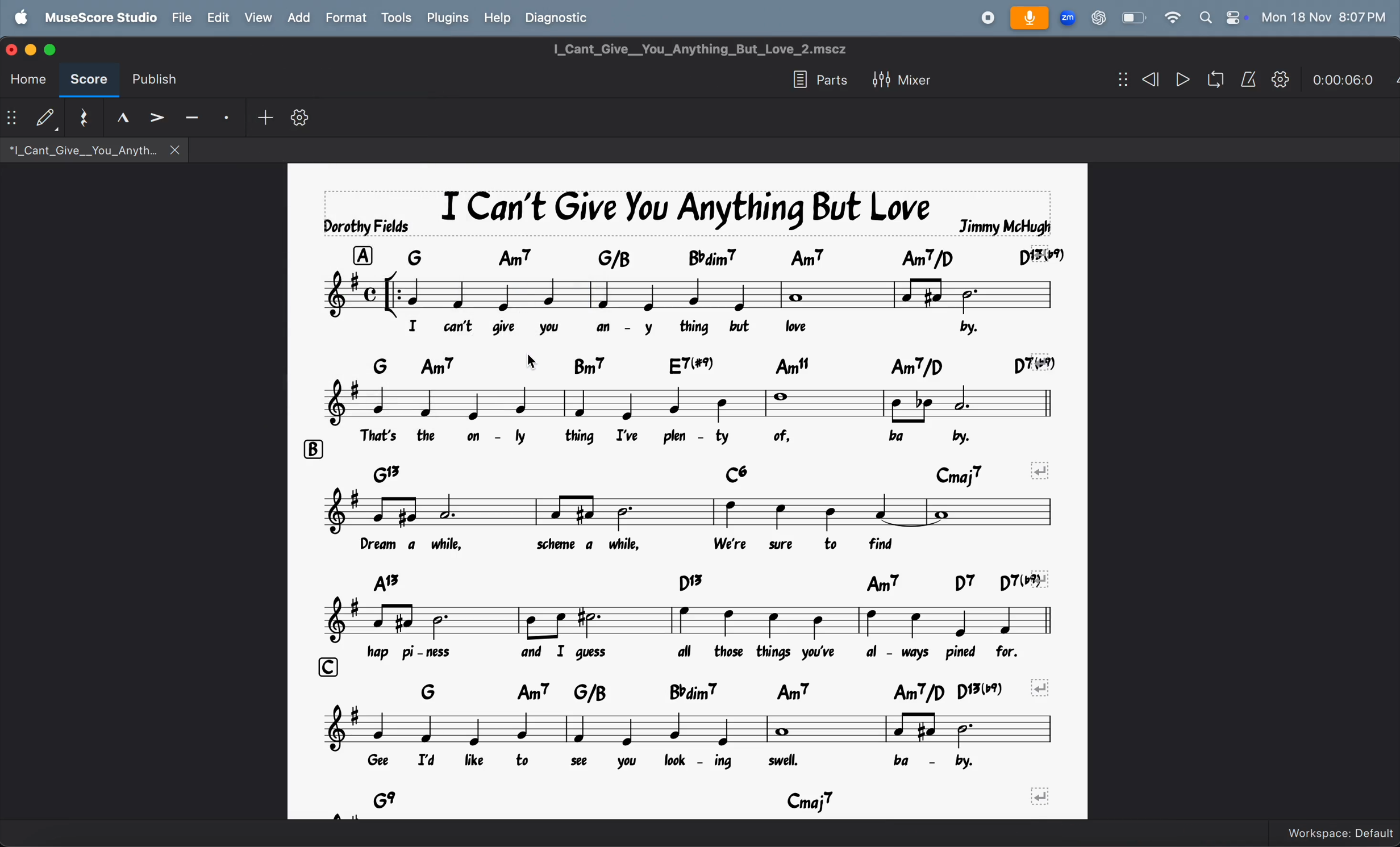 This screenshot has height=847, width=1400. What do you see at coordinates (158, 114) in the screenshot?
I see `accent` at bounding box center [158, 114].